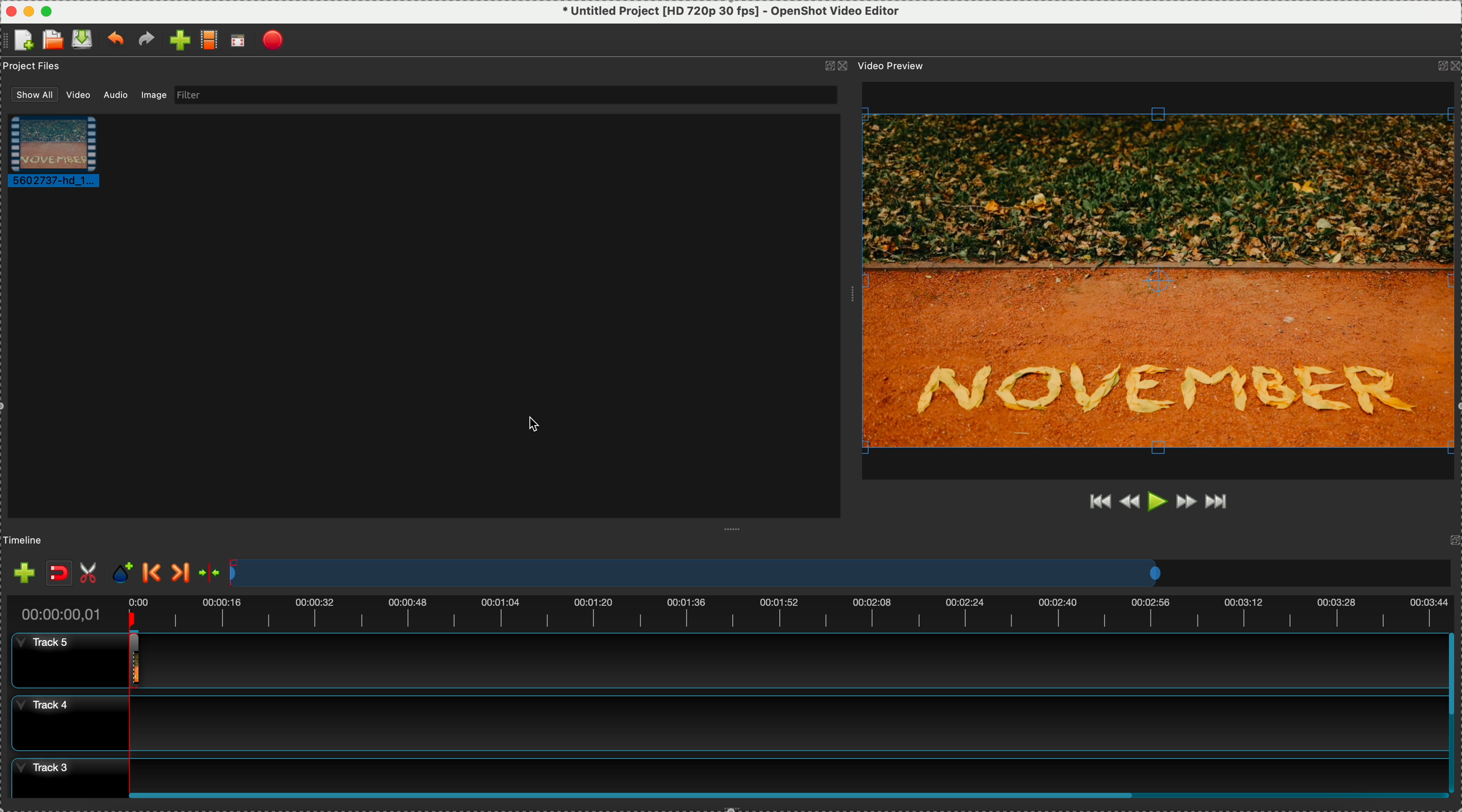  What do you see at coordinates (1447, 67) in the screenshot?
I see `icons` at bounding box center [1447, 67].